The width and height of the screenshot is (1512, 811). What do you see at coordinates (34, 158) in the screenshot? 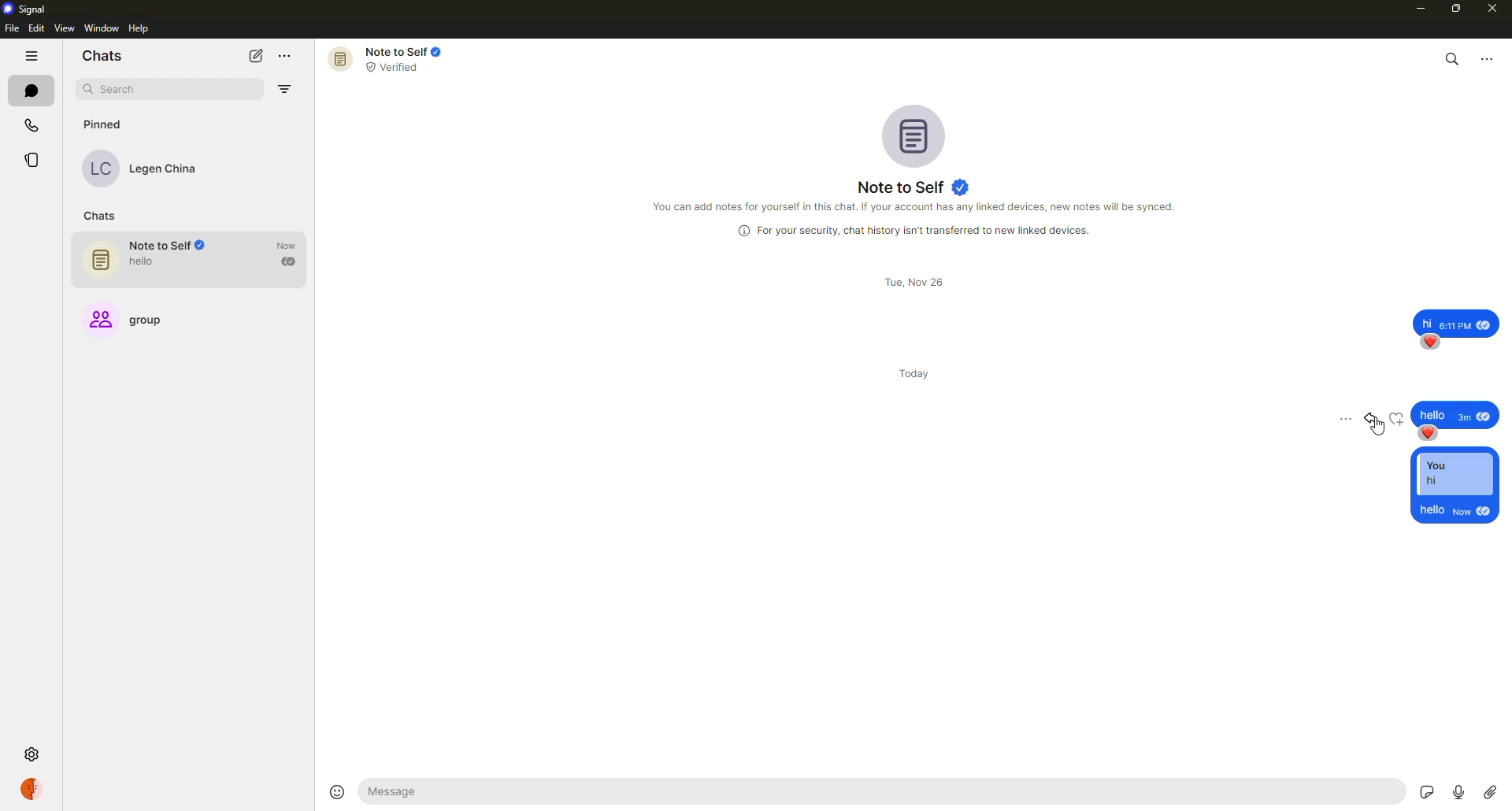
I see `stories` at bounding box center [34, 158].